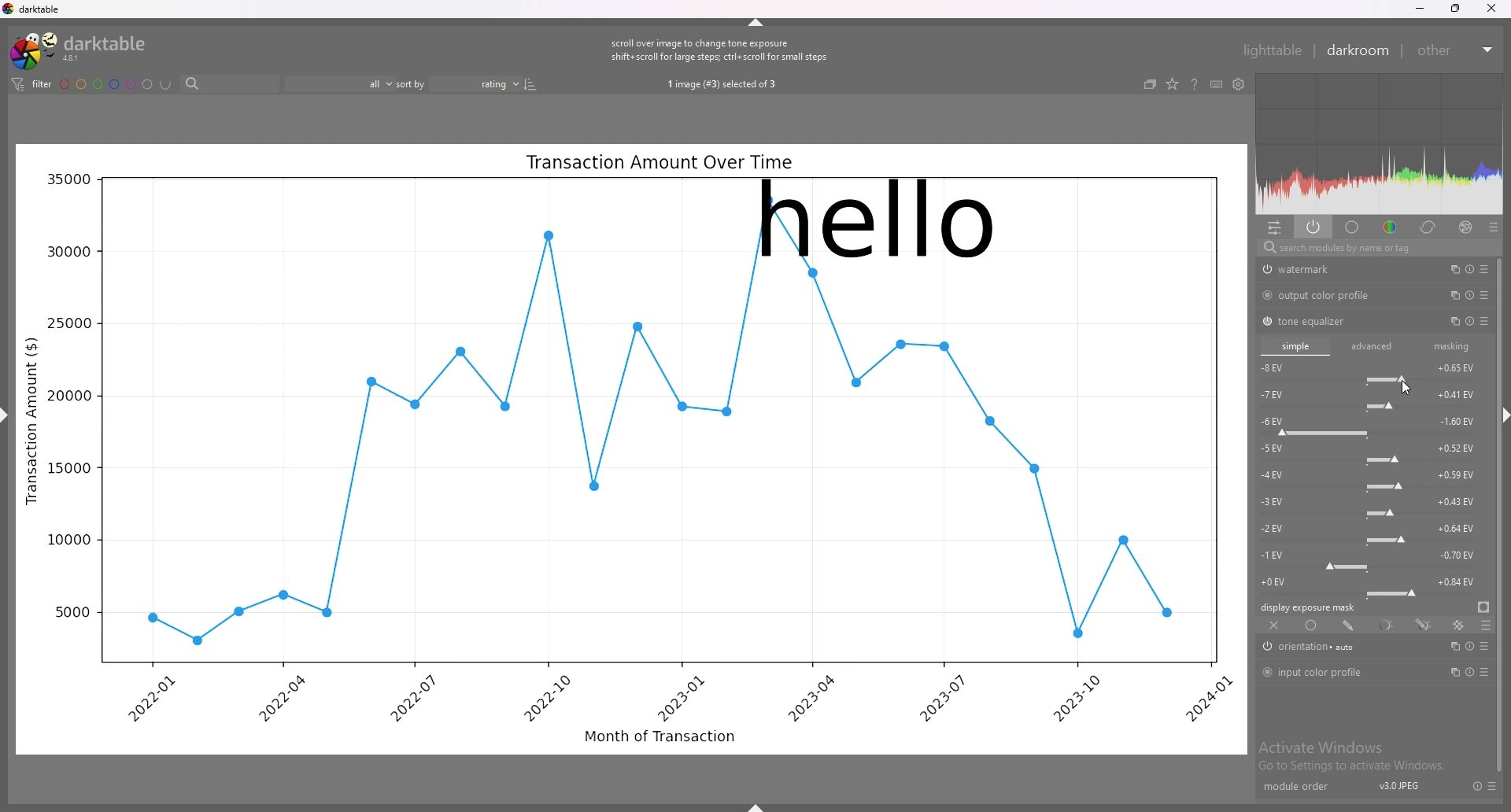 The width and height of the screenshot is (1511, 812). Describe the element at coordinates (1267, 672) in the screenshot. I see `switch off/on` at that location.